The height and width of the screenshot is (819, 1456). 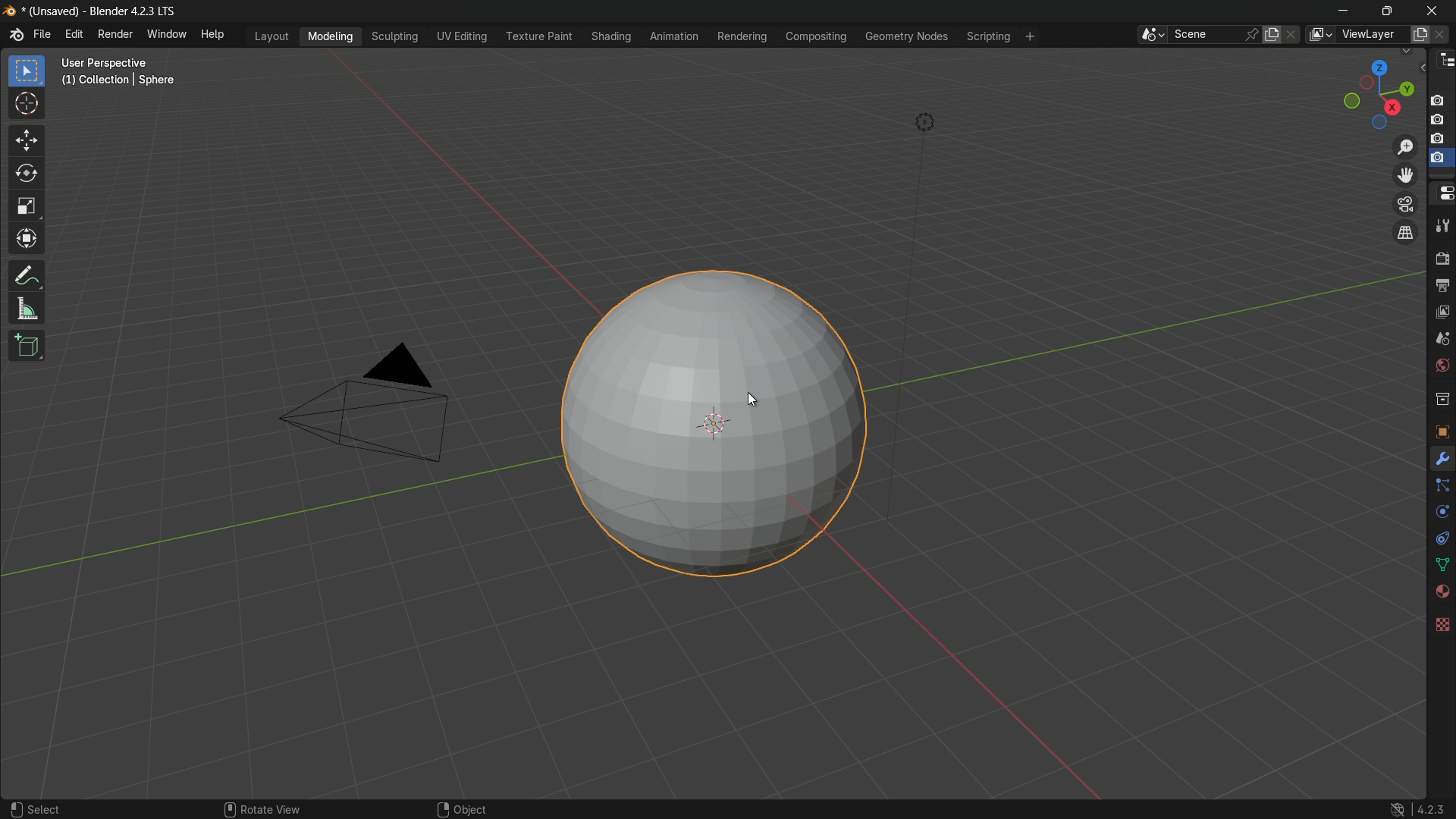 What do you see at coordinates (1386, 11) in the screenshot?
I see `maximize or restore` at bounding box center [1386, 11].